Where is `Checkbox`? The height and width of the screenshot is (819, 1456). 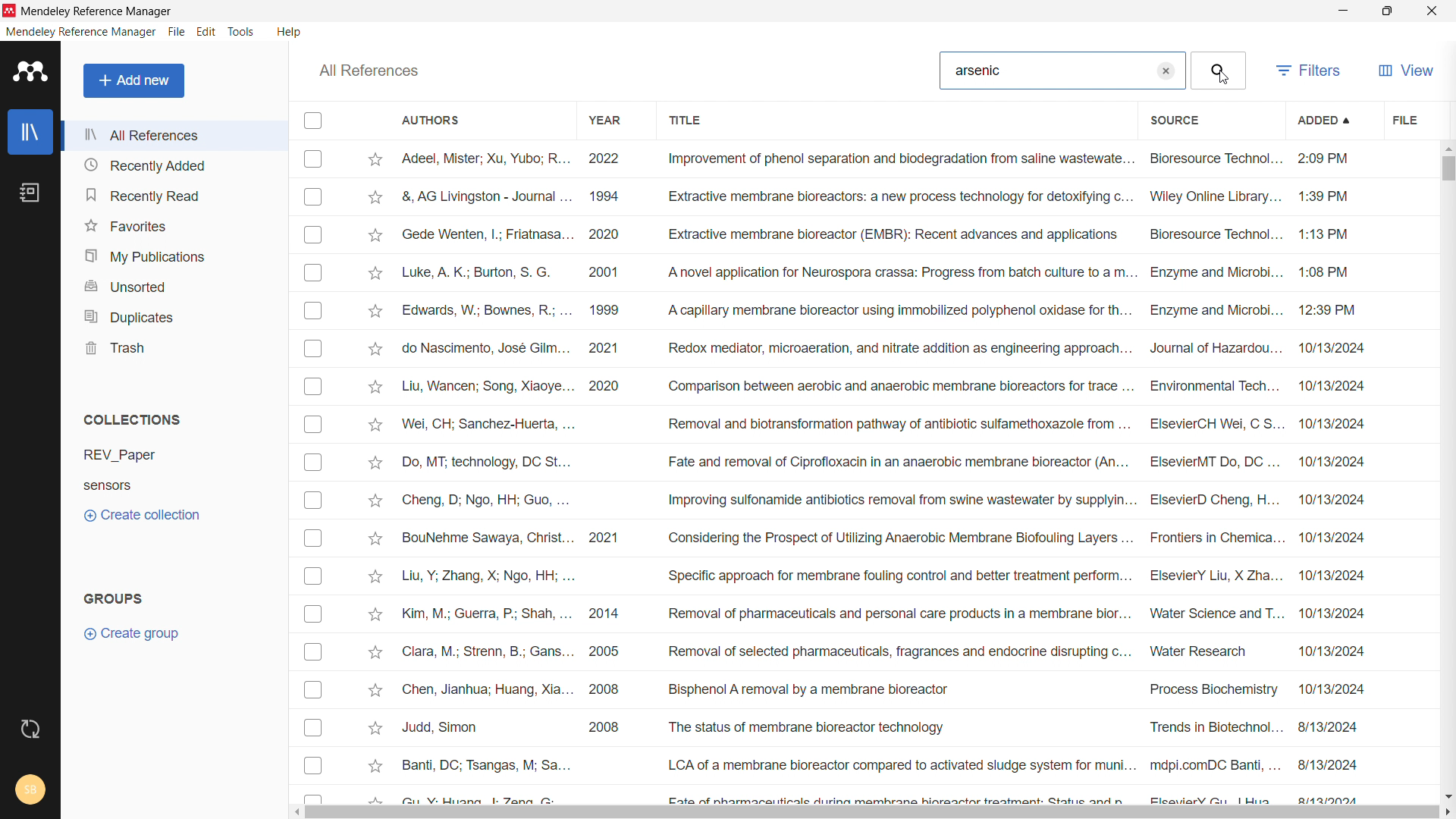 Checkbox is located at coordinates (315, 347).